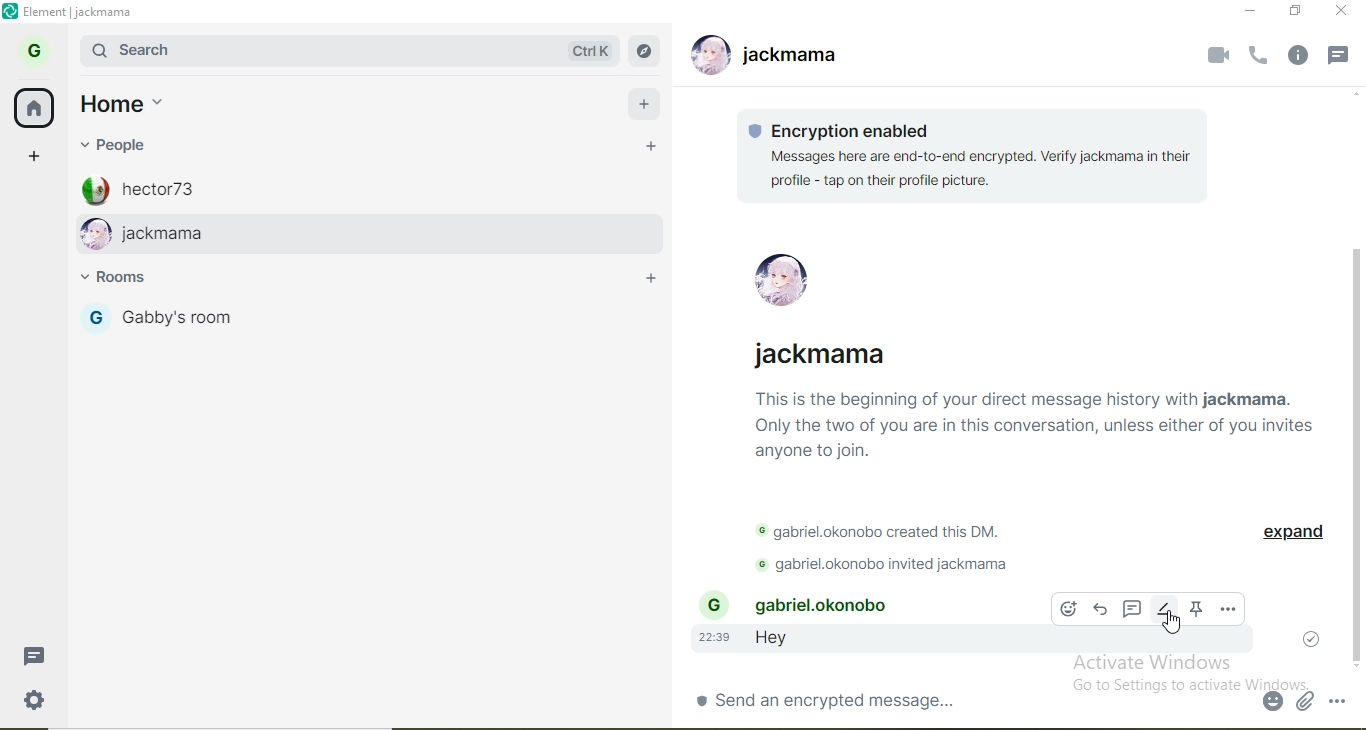 The width and height of the screenshot is (1366, 730). Describe the element at coordinates (713, 638) in the screenshot. I see `22:39` at that location.